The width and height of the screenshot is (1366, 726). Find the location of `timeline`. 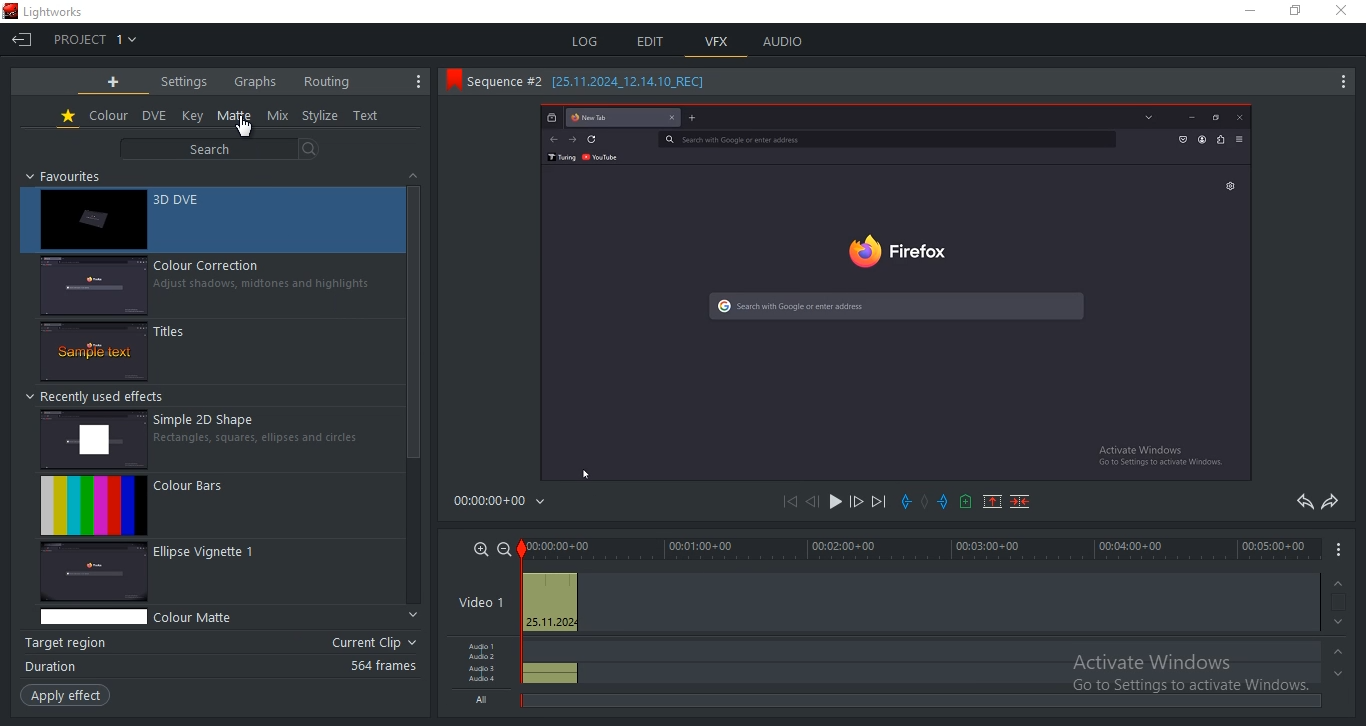

timeline is located at coordinates (919, 547).